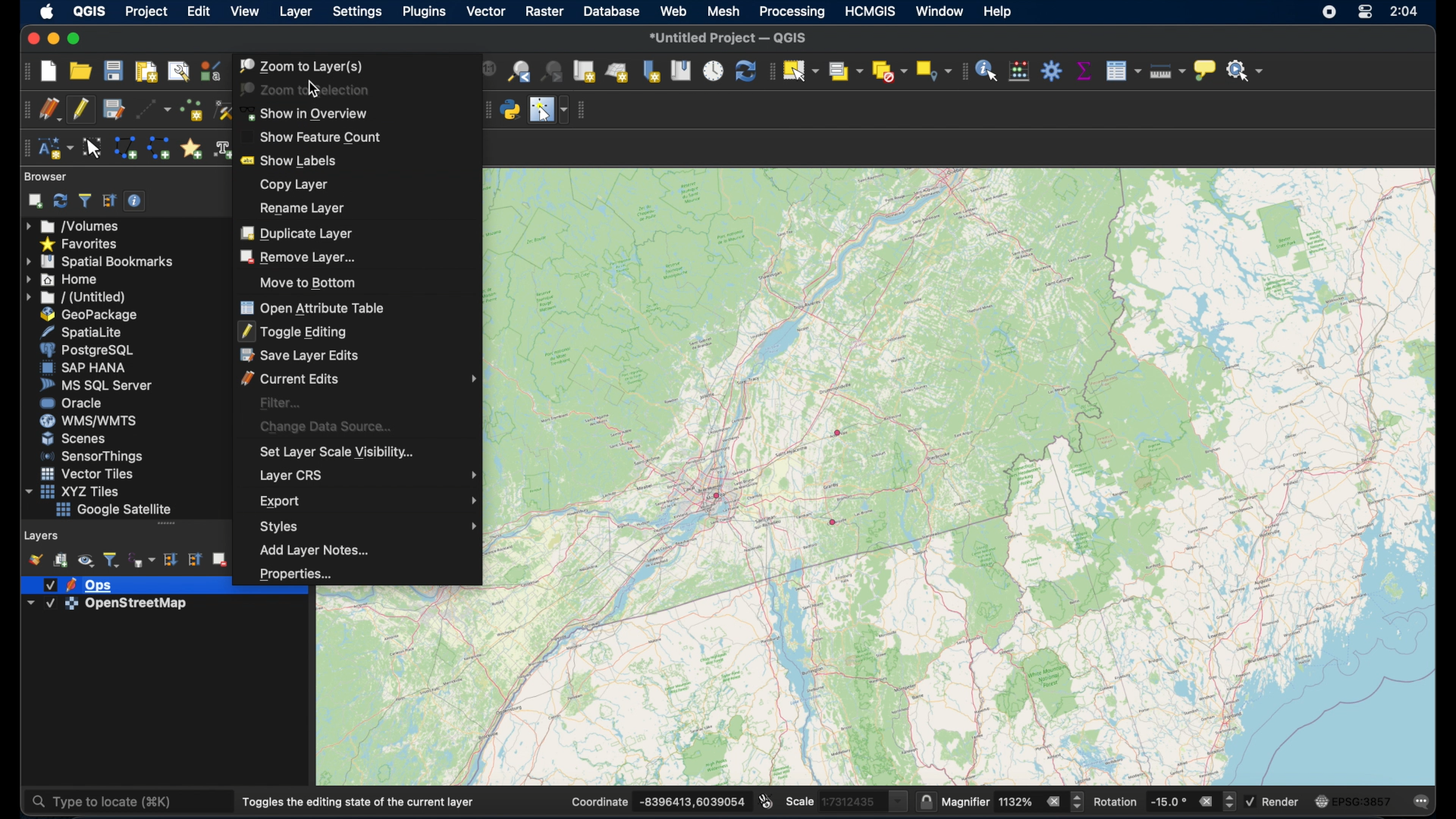  What do you see at coordinates (989, 71) in the screenshot?
I see `identify features` at bounding box center [989, 71].